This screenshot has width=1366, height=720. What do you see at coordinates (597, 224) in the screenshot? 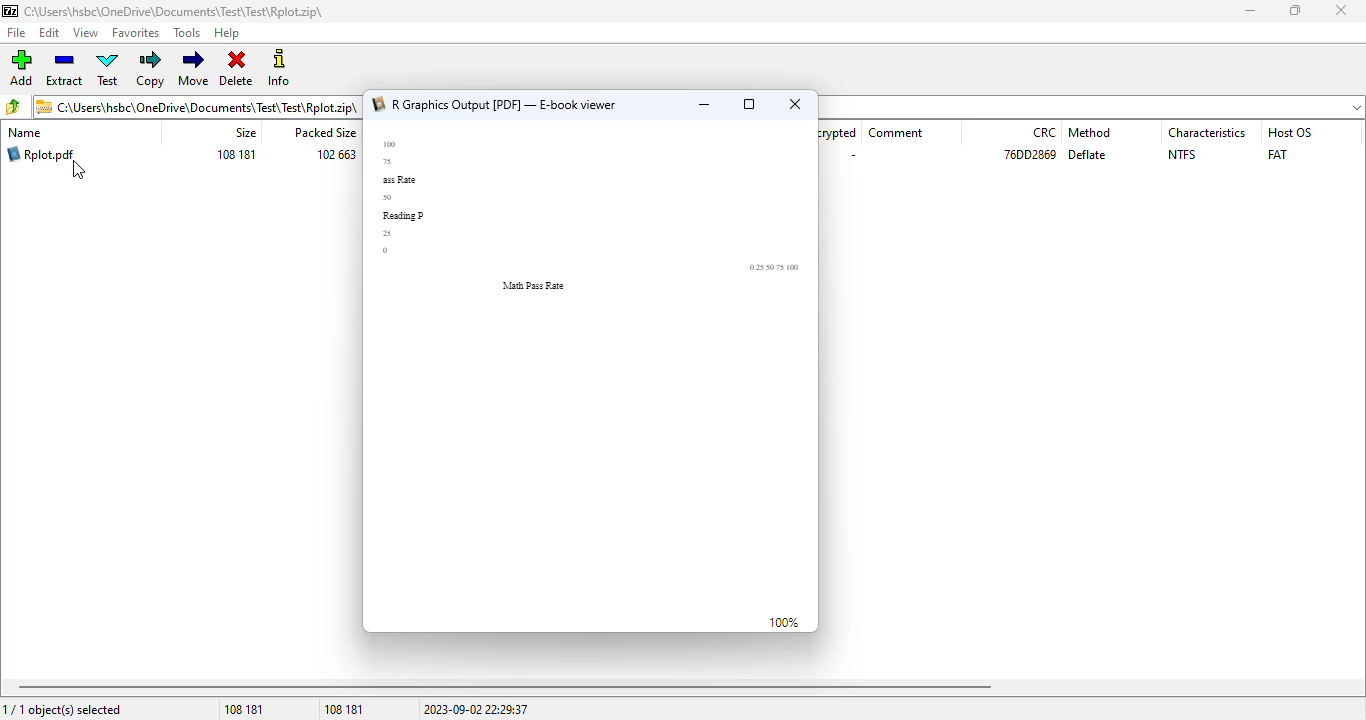
I see `ass Rate Reading P Math Pass Rate` at bounding box center [597, 224].